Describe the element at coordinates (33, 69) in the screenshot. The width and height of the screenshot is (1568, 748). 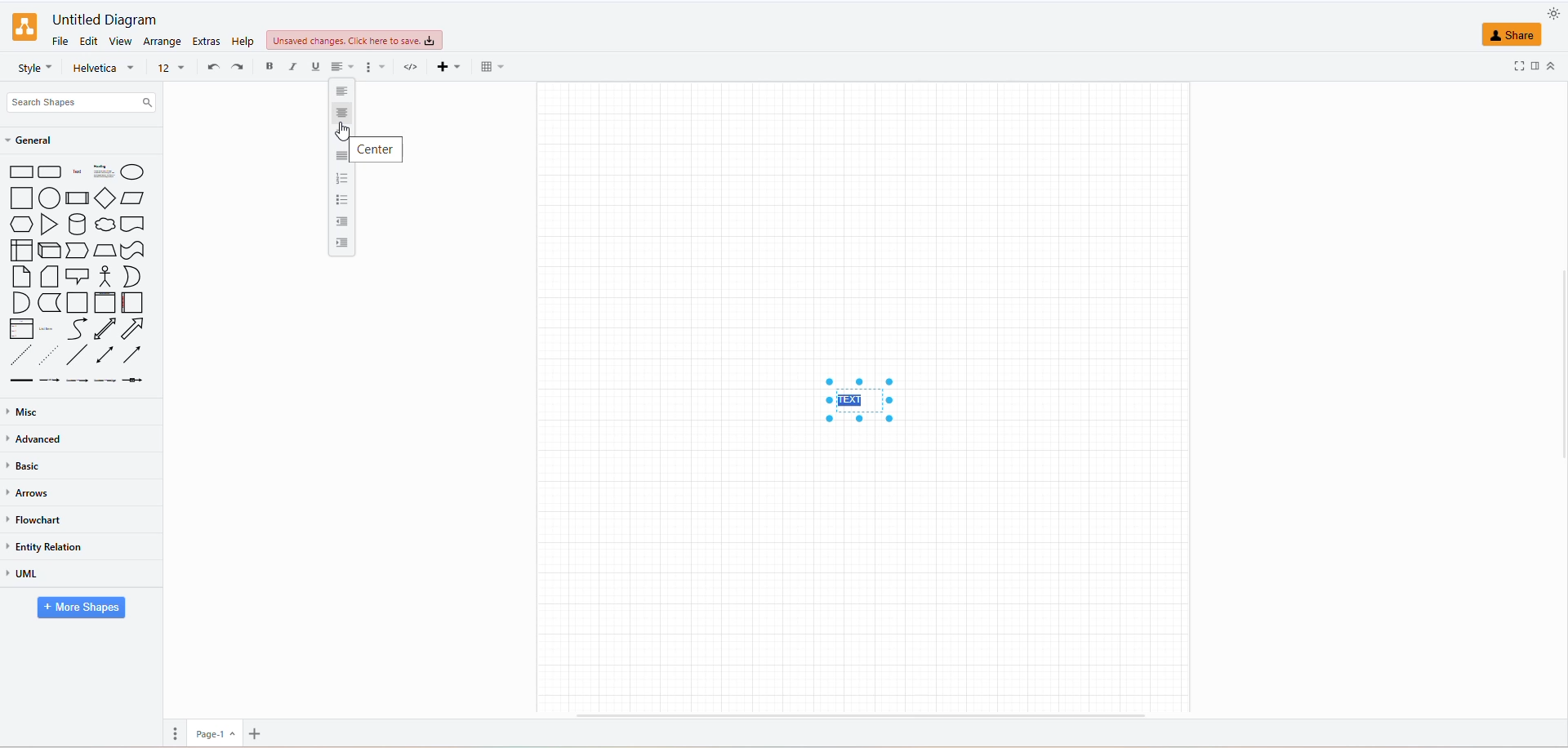
I see `styles` at that location.